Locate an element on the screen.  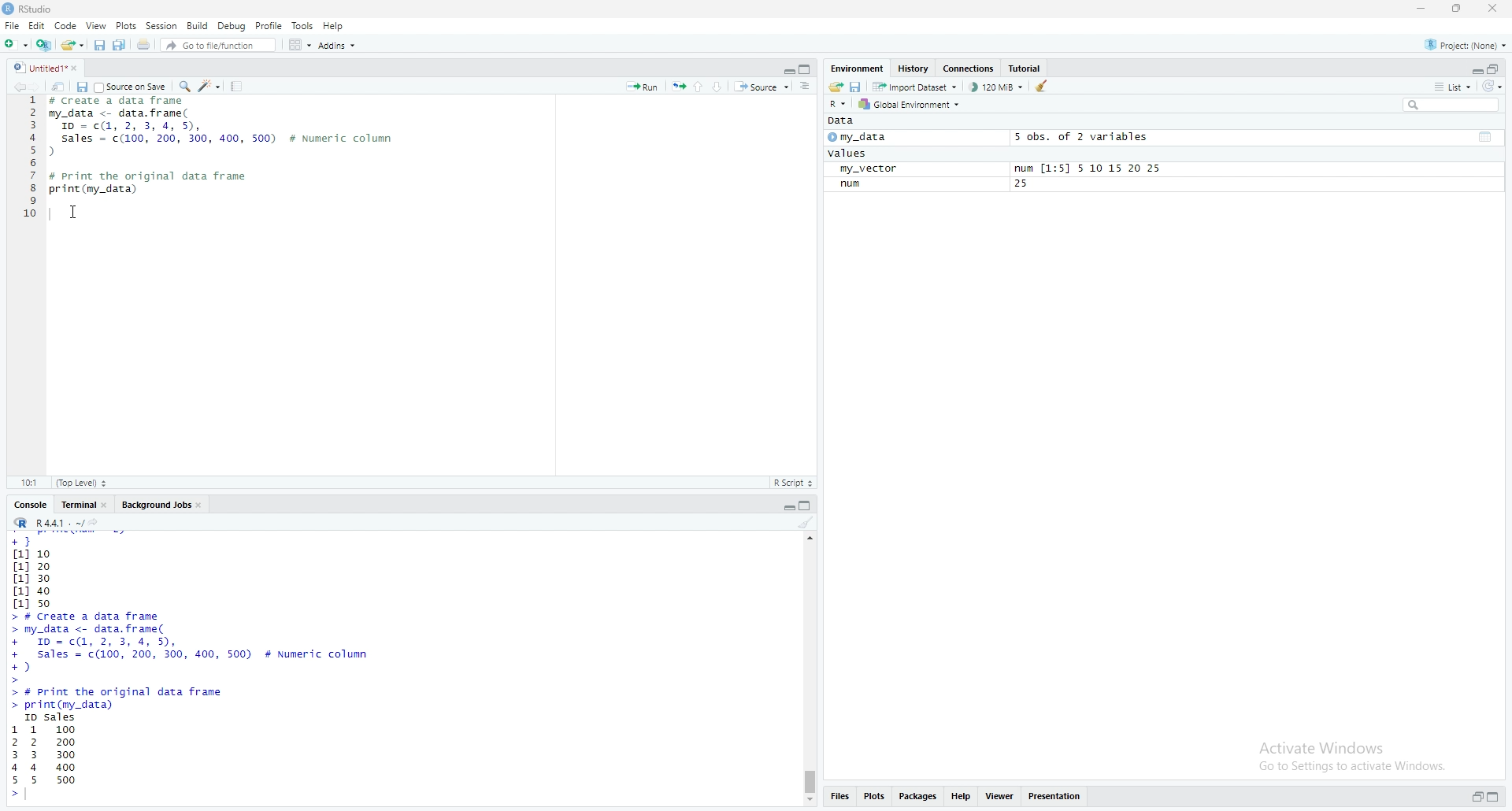
code tools is located at coordinates (209, 88).